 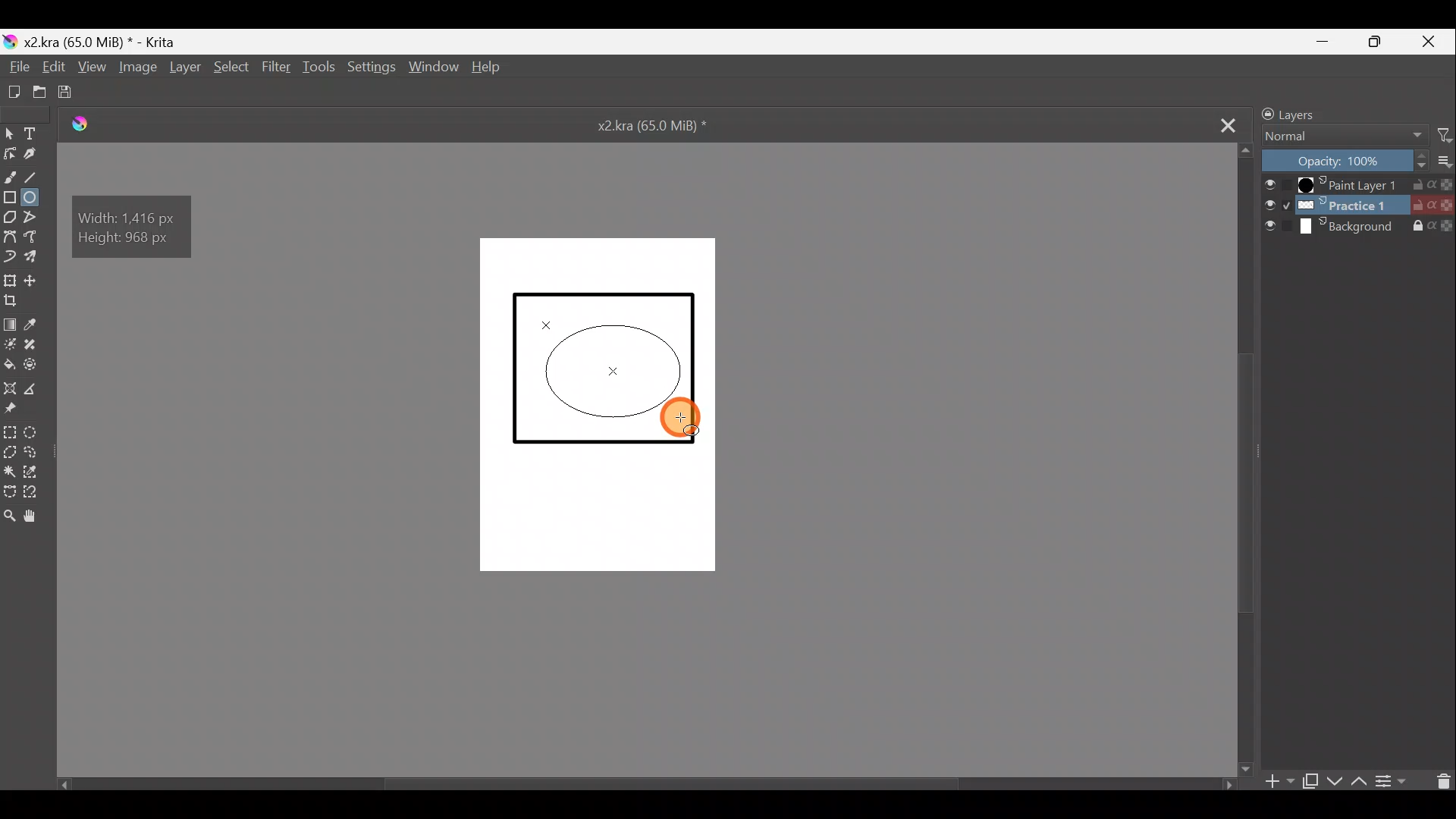 What do you see at coordinates (34, 431) in the screenshot?
I see `Elliptical selection tool` at bounding box center [34, 431].